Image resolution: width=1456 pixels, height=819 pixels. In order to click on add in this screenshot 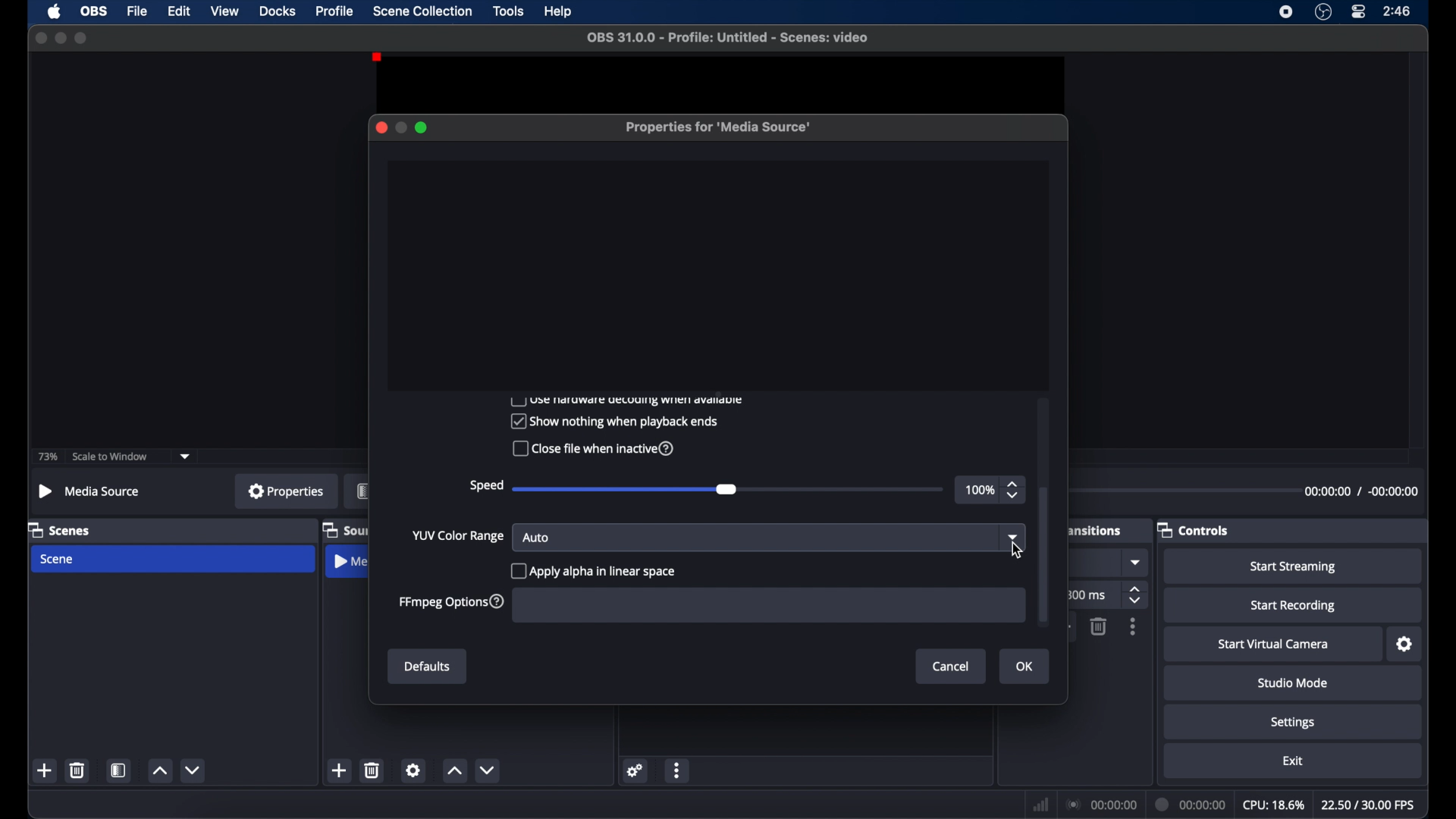, I will do `click(340, 770)`.